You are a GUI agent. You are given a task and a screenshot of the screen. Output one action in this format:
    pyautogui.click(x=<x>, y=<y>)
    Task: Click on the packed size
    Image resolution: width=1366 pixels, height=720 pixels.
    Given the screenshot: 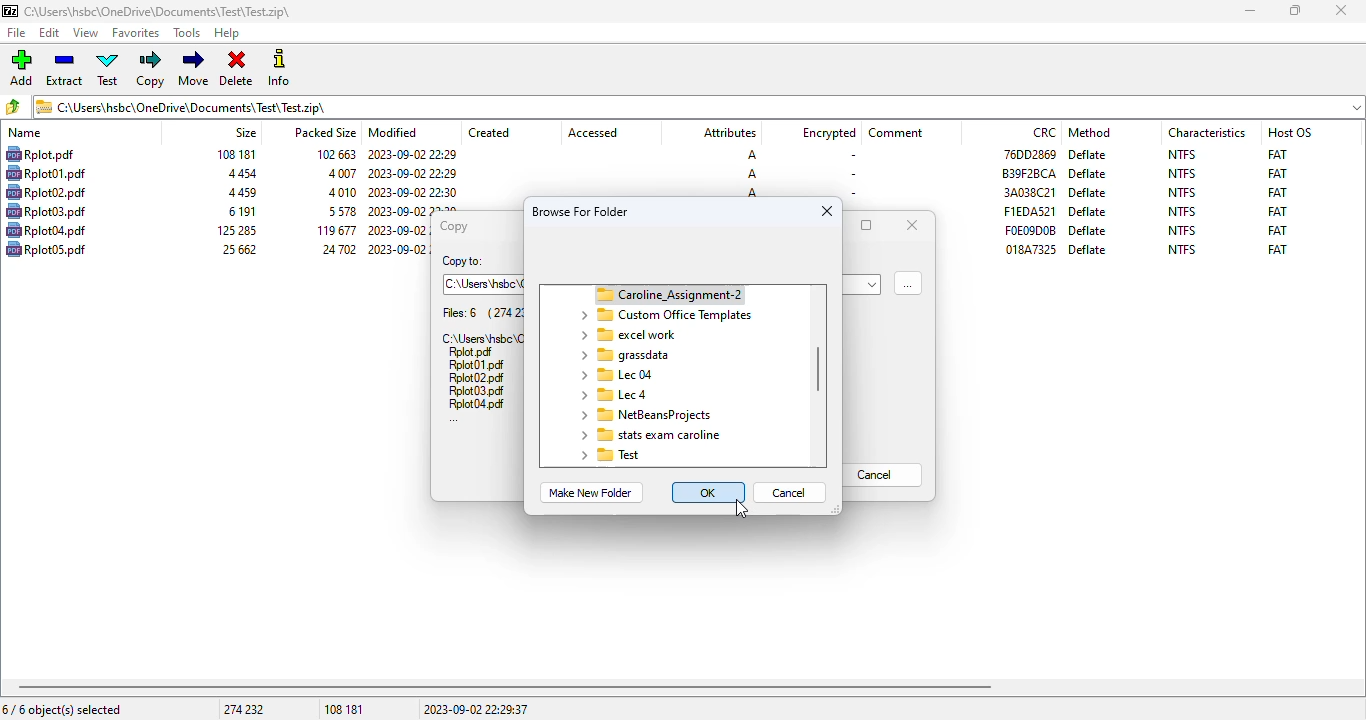 What is the action you would take?
    pyautogui.click(x=332, y=153)
    